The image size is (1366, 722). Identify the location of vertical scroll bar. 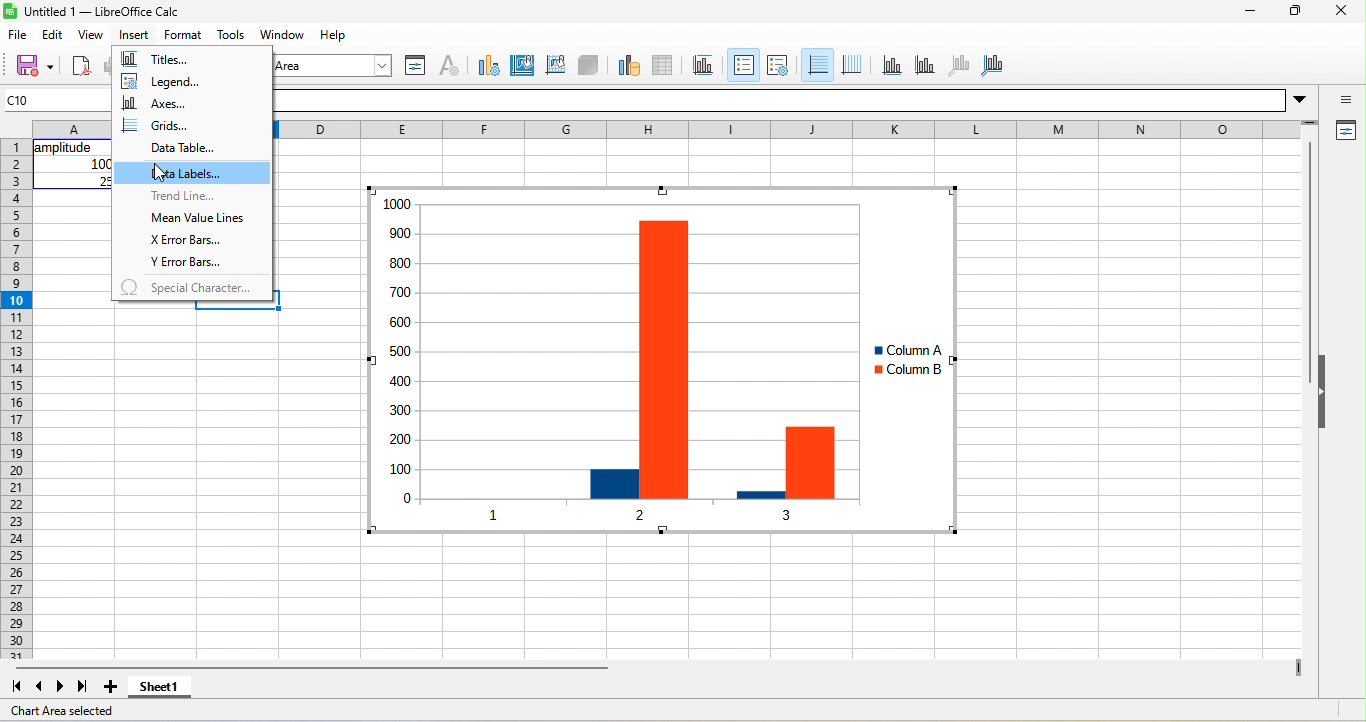
(1308, 265).